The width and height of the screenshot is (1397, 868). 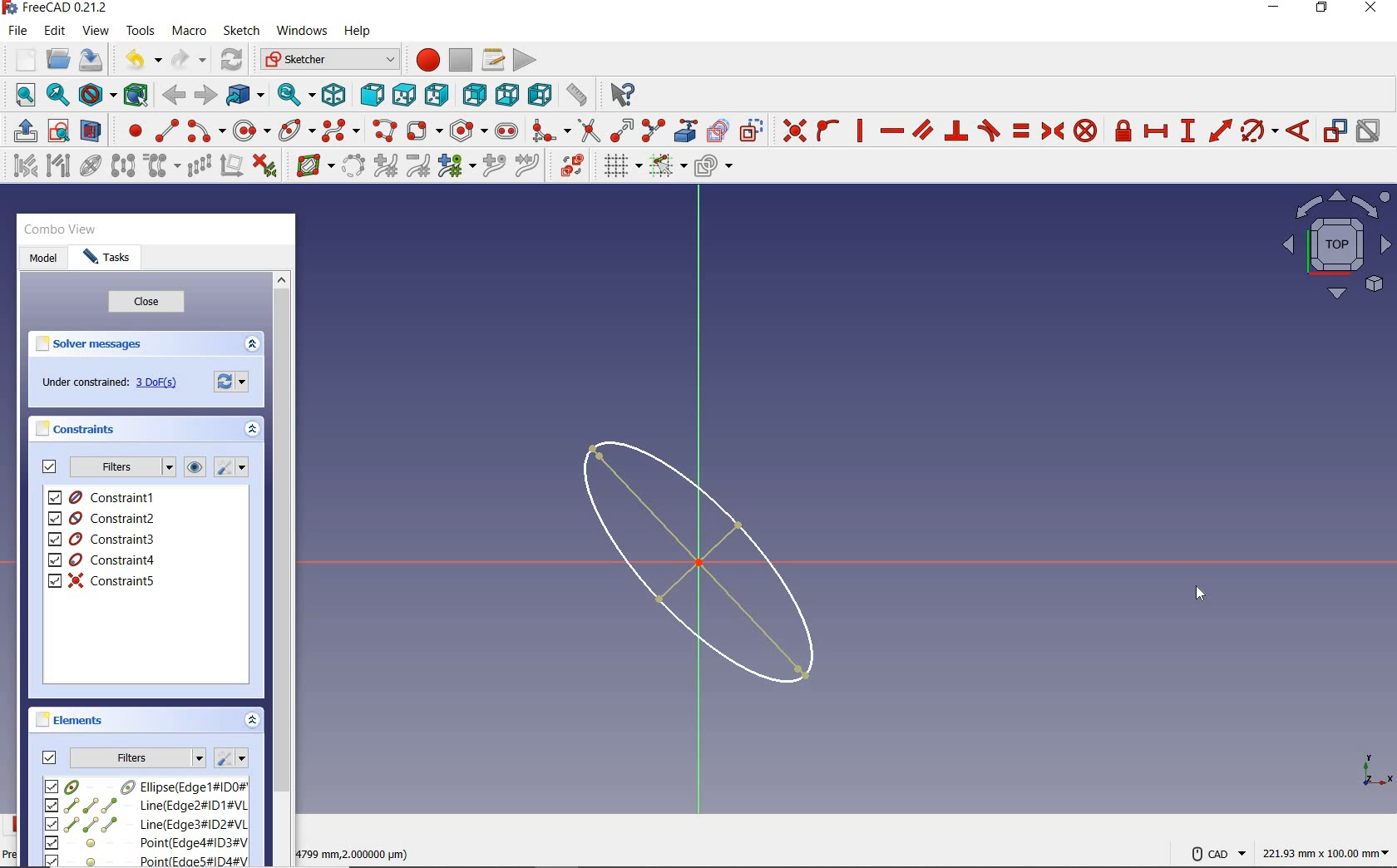 What do you see at coordinates (1124, 131) in the screenshot?
I see `constrin lock` at bounding box center [1124, 131].